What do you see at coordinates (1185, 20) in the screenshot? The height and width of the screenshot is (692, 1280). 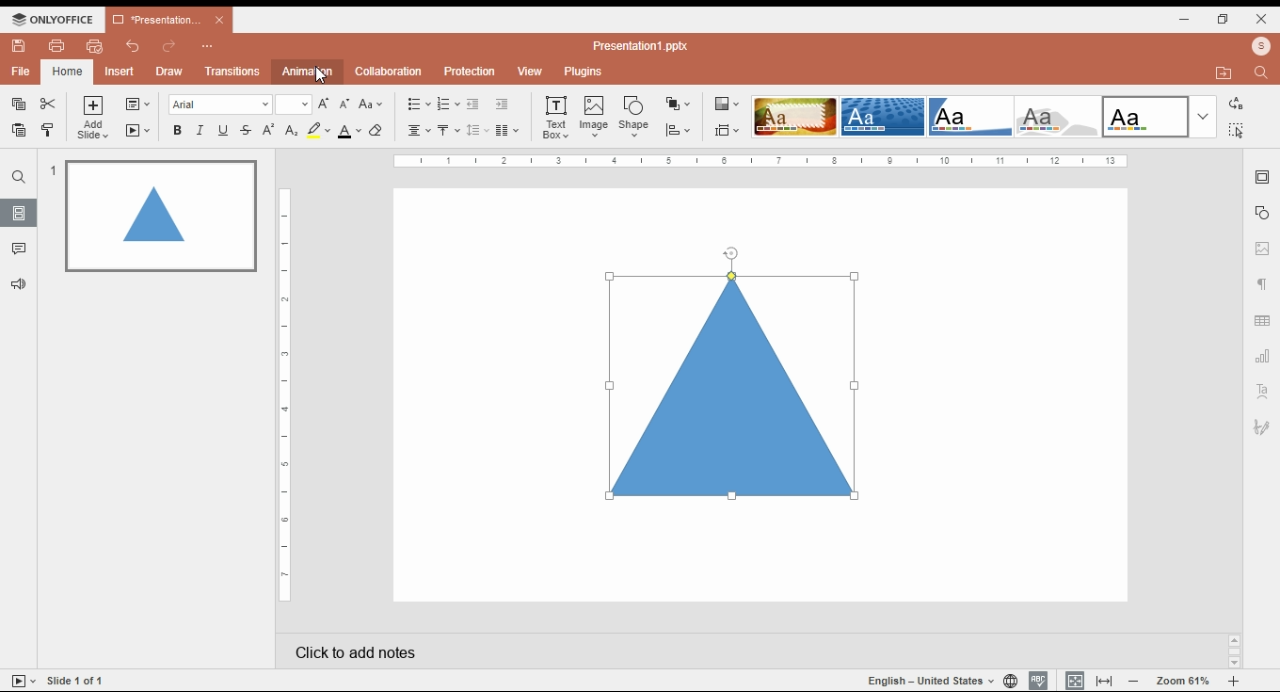 I see `minimize` at bounding box center [1185, 20].